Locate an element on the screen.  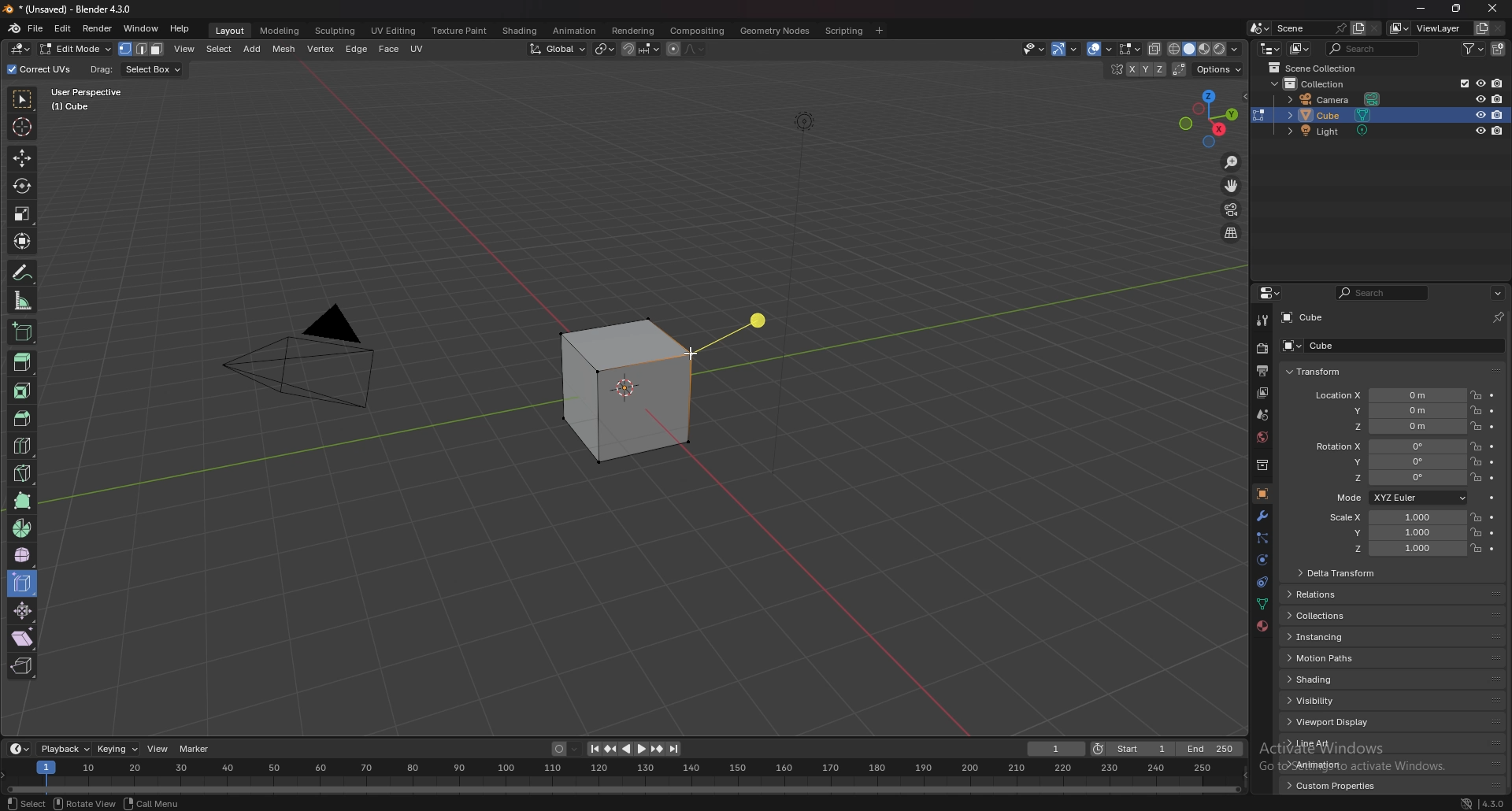
jump to keyframe is located at coordinates (657, 750).